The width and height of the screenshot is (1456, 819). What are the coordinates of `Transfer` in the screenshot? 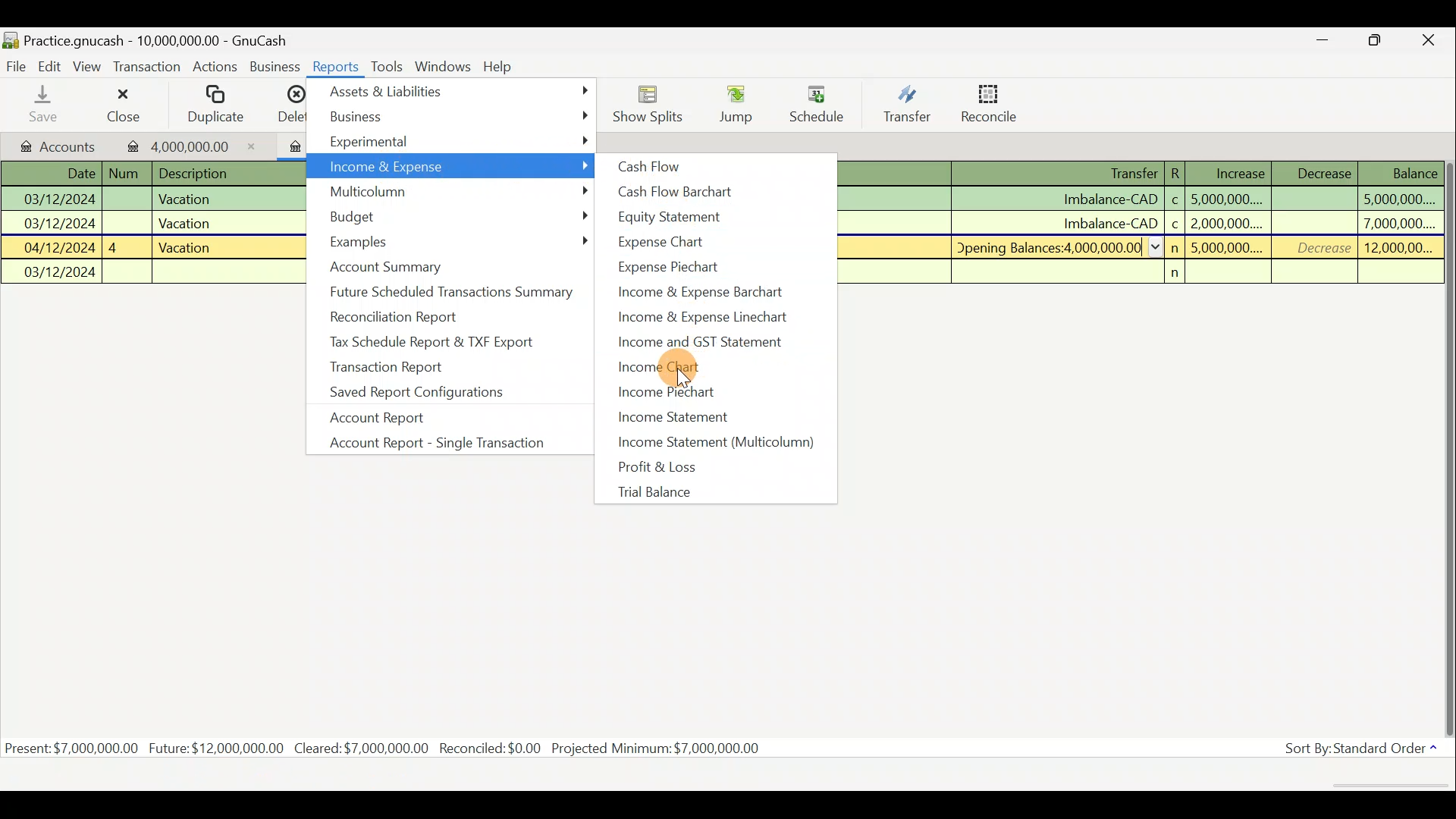 It's located at (904, 106).